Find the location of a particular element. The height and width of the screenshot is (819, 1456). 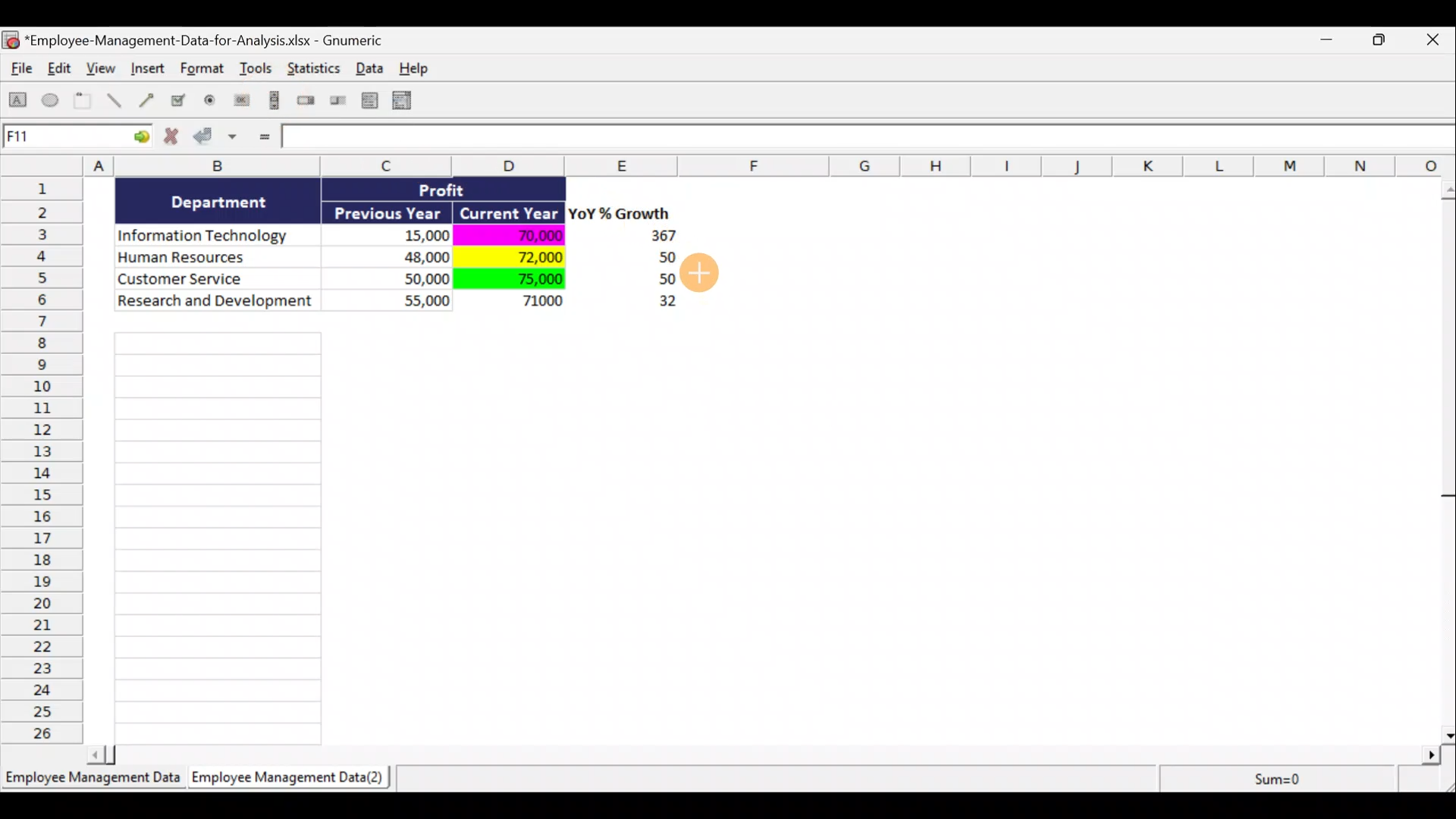

Cancel change is located at coordinates (176, 140).